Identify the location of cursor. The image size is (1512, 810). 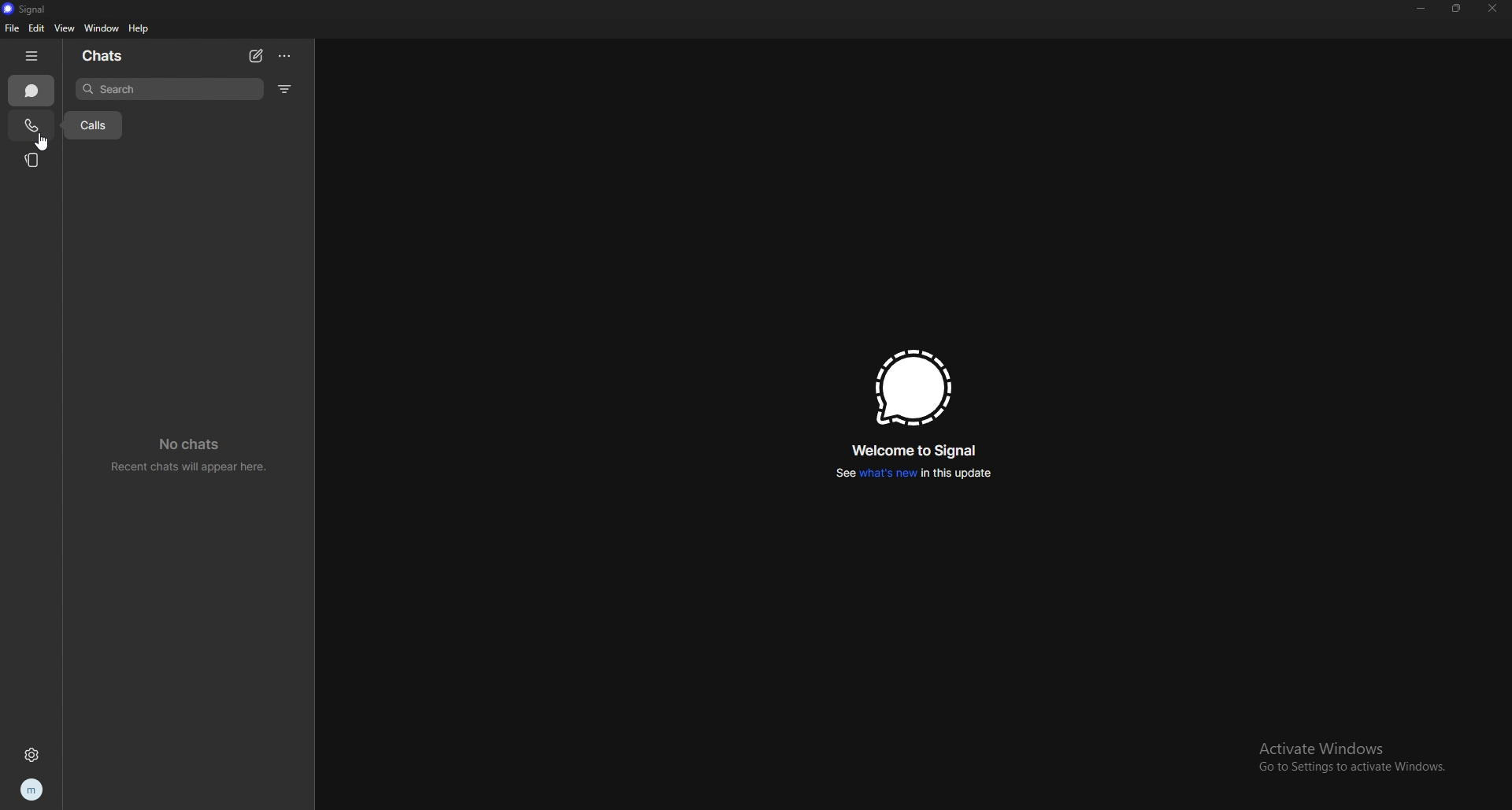
(44, 145).